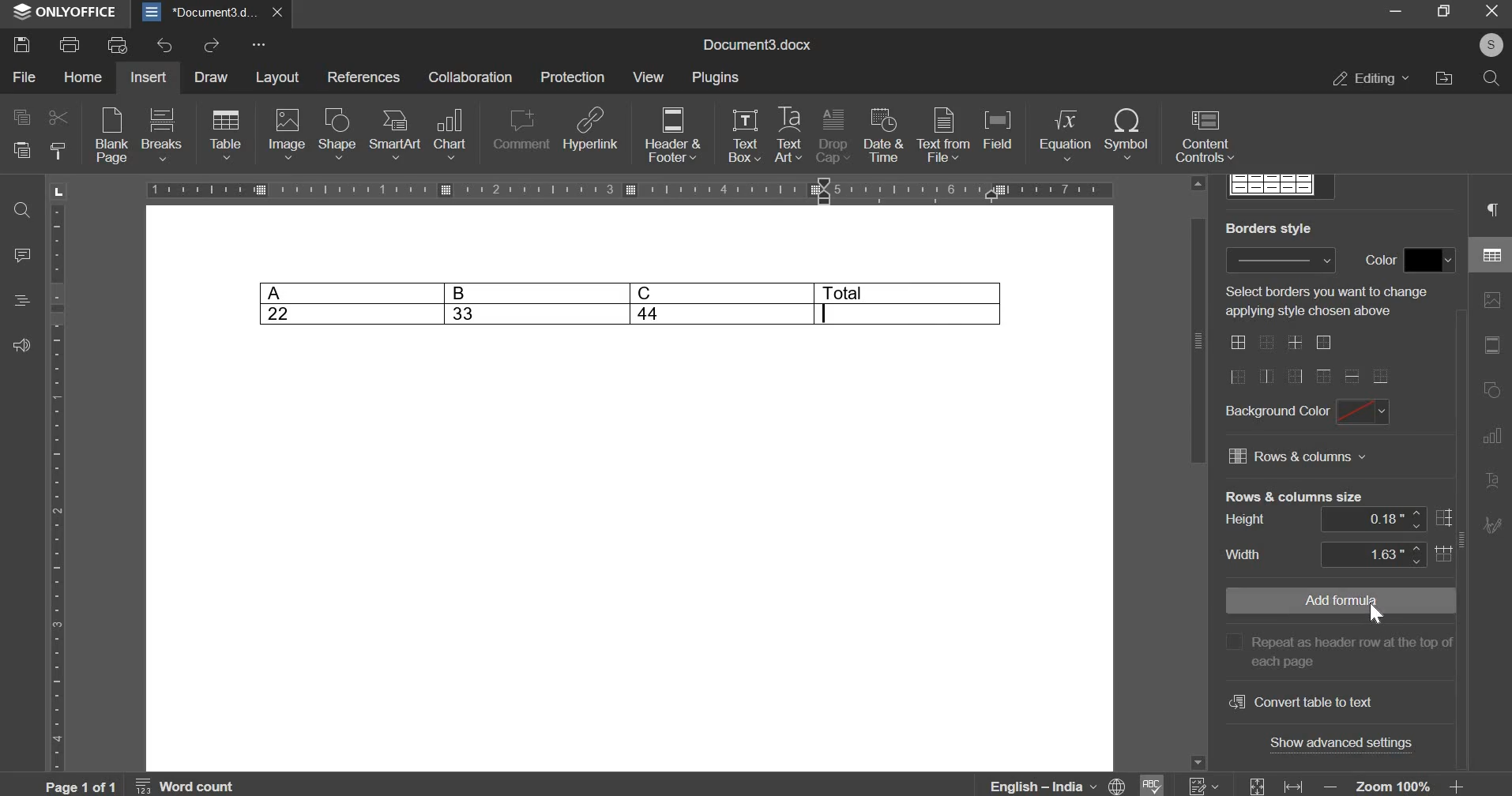 This screenshot has width=1512, height=796. What do you see at coordinates (58, 150) in the screenshot?
I see `copy style` at bounding box center [58, 150].